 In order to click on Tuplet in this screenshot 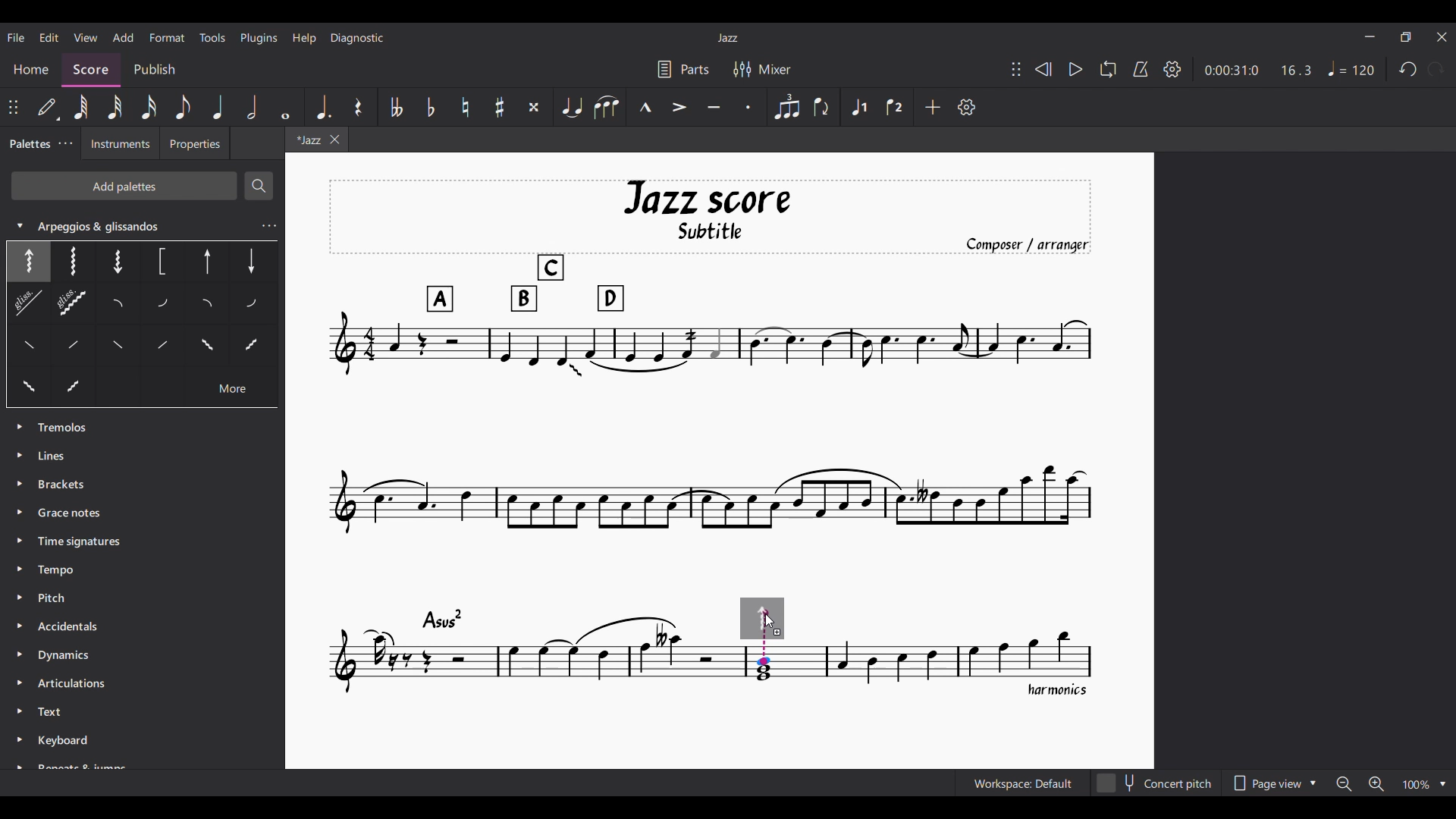, I will do `click(786, 107)`.